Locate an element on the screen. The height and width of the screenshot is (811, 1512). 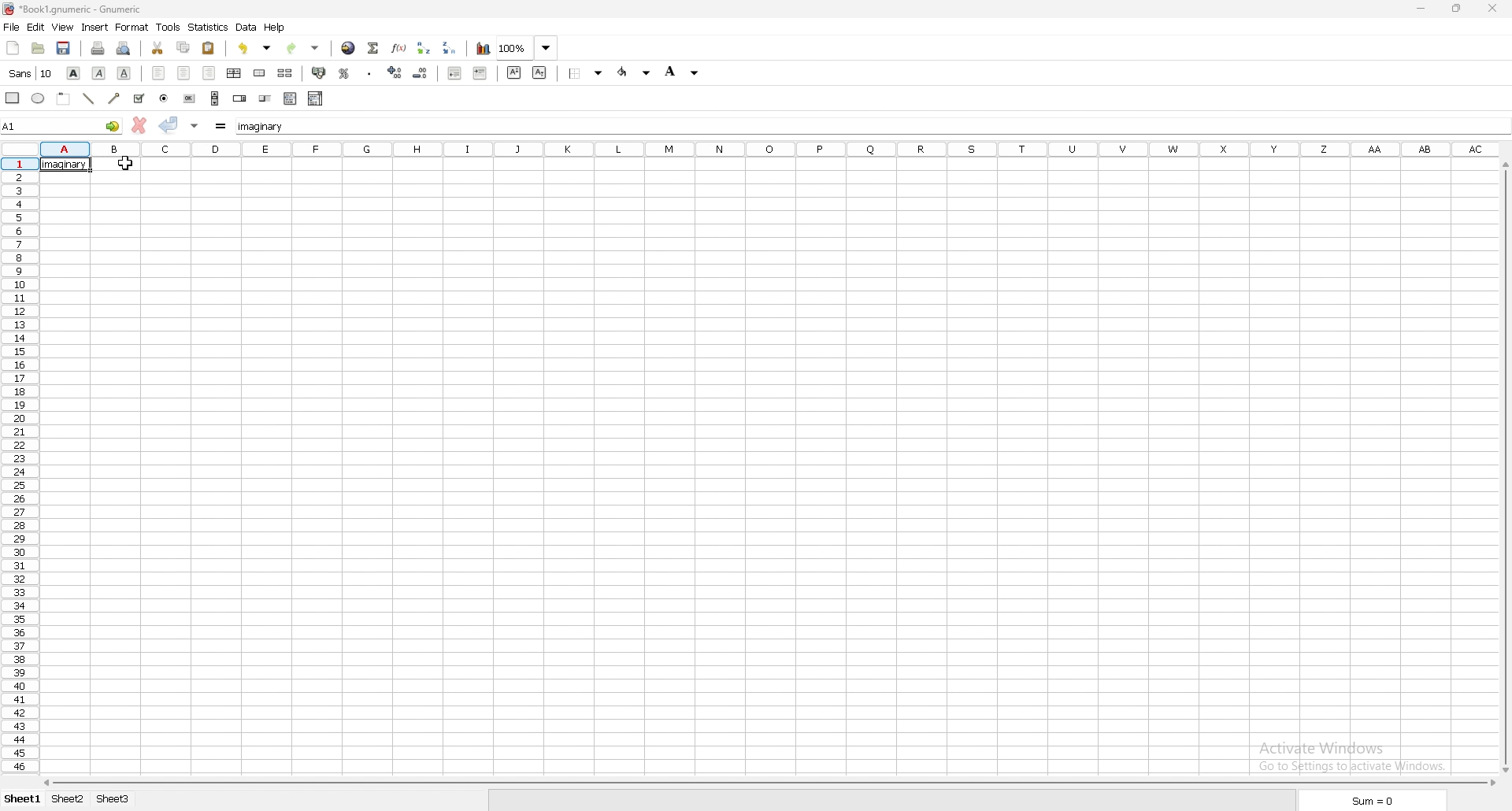
bold is located at coordinates (73, 73).